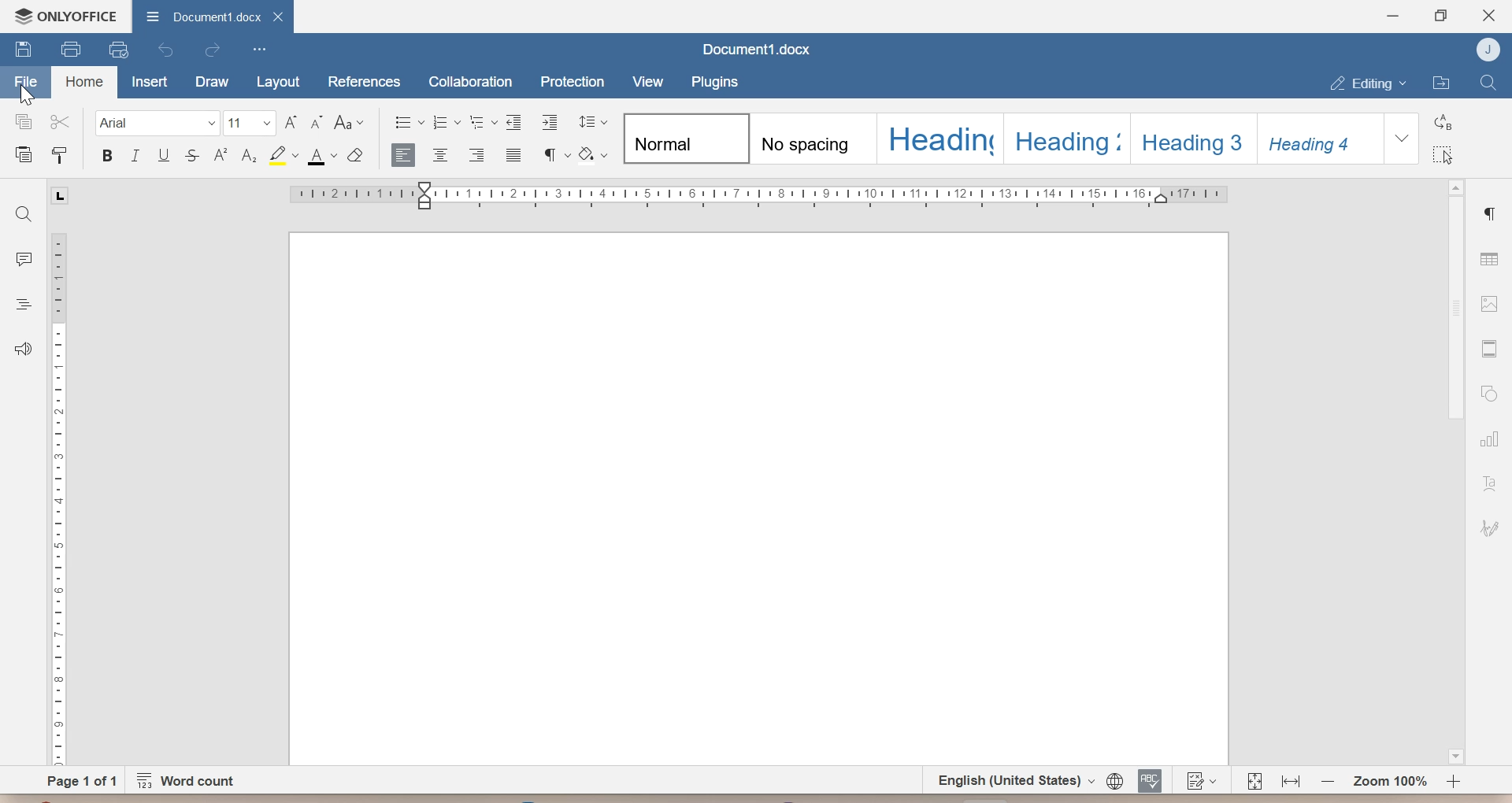 The width and height of the screenshot is (1512, 803). Describe the element at coordinates (442, 155) in the screenshot. I see `Align center` at that location.